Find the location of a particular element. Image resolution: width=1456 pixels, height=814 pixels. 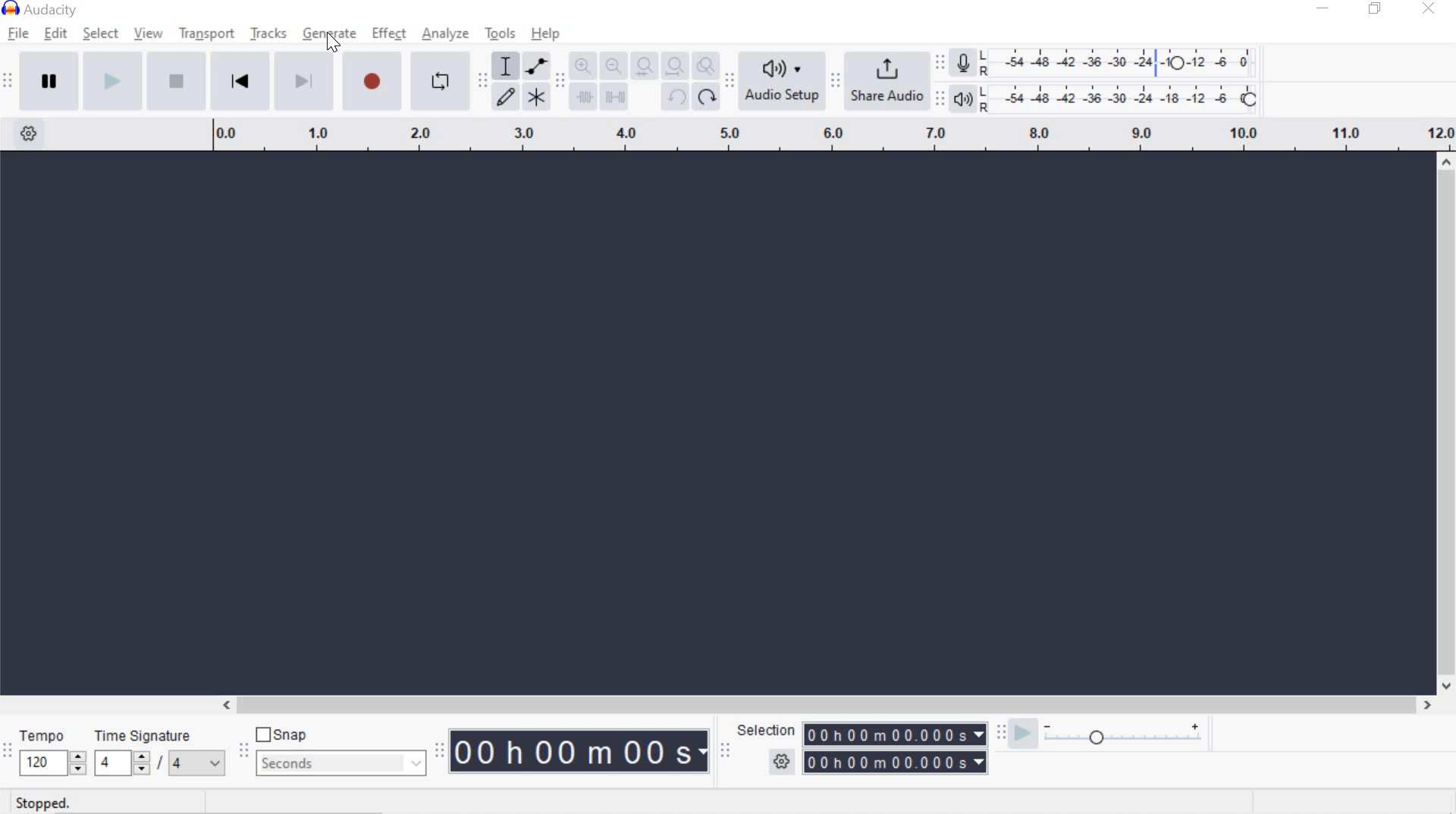

Multi-tool is located at coordinates (535, 96).